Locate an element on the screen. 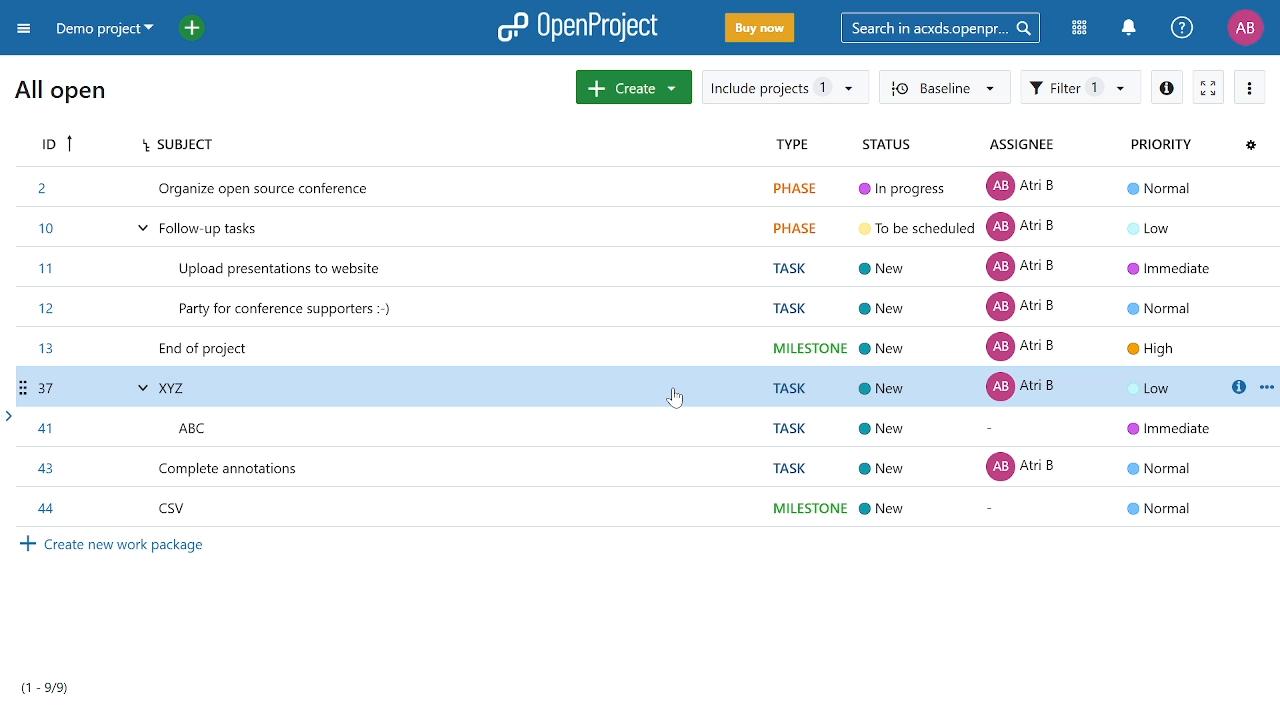 The image size is (1280, 720). Assignee is located at coordinates (1033, 145).